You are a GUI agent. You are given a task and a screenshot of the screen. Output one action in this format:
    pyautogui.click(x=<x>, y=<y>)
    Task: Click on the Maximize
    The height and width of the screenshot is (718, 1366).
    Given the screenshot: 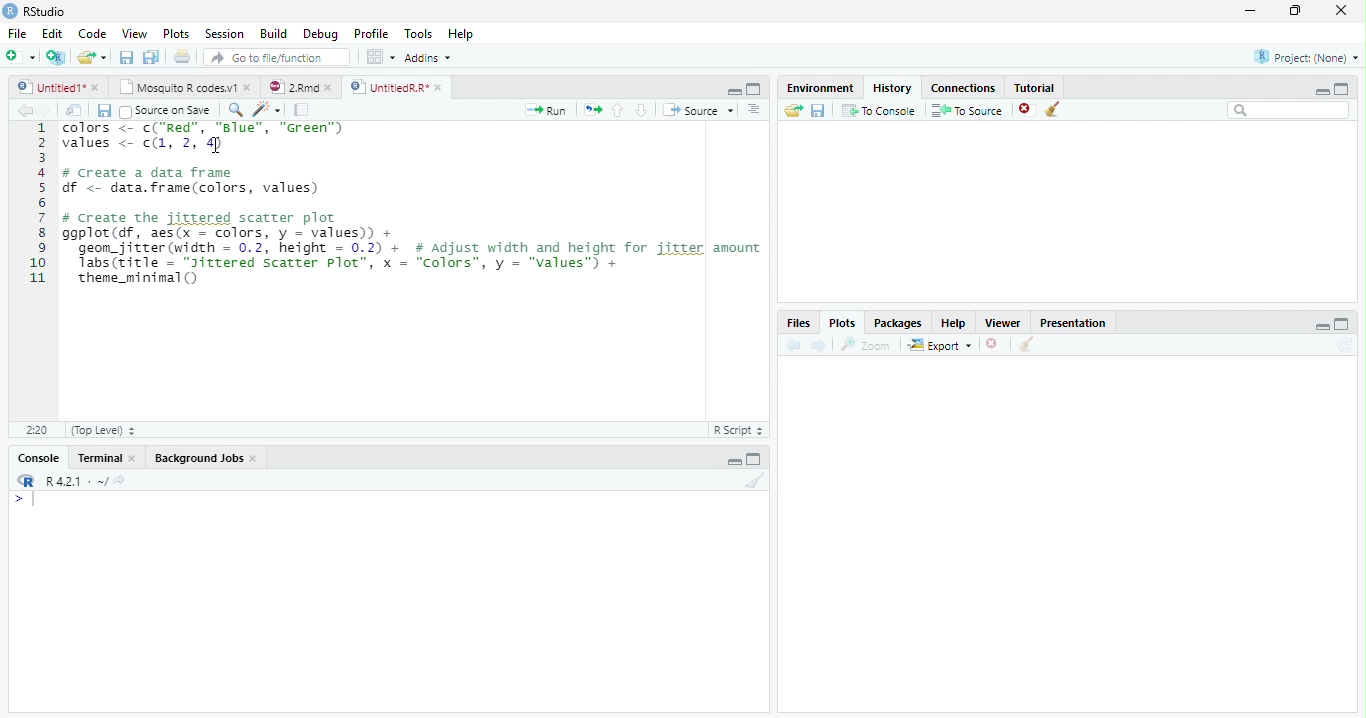 What is the action you would take?
    pyautogui.click(x=754, y=89)
    